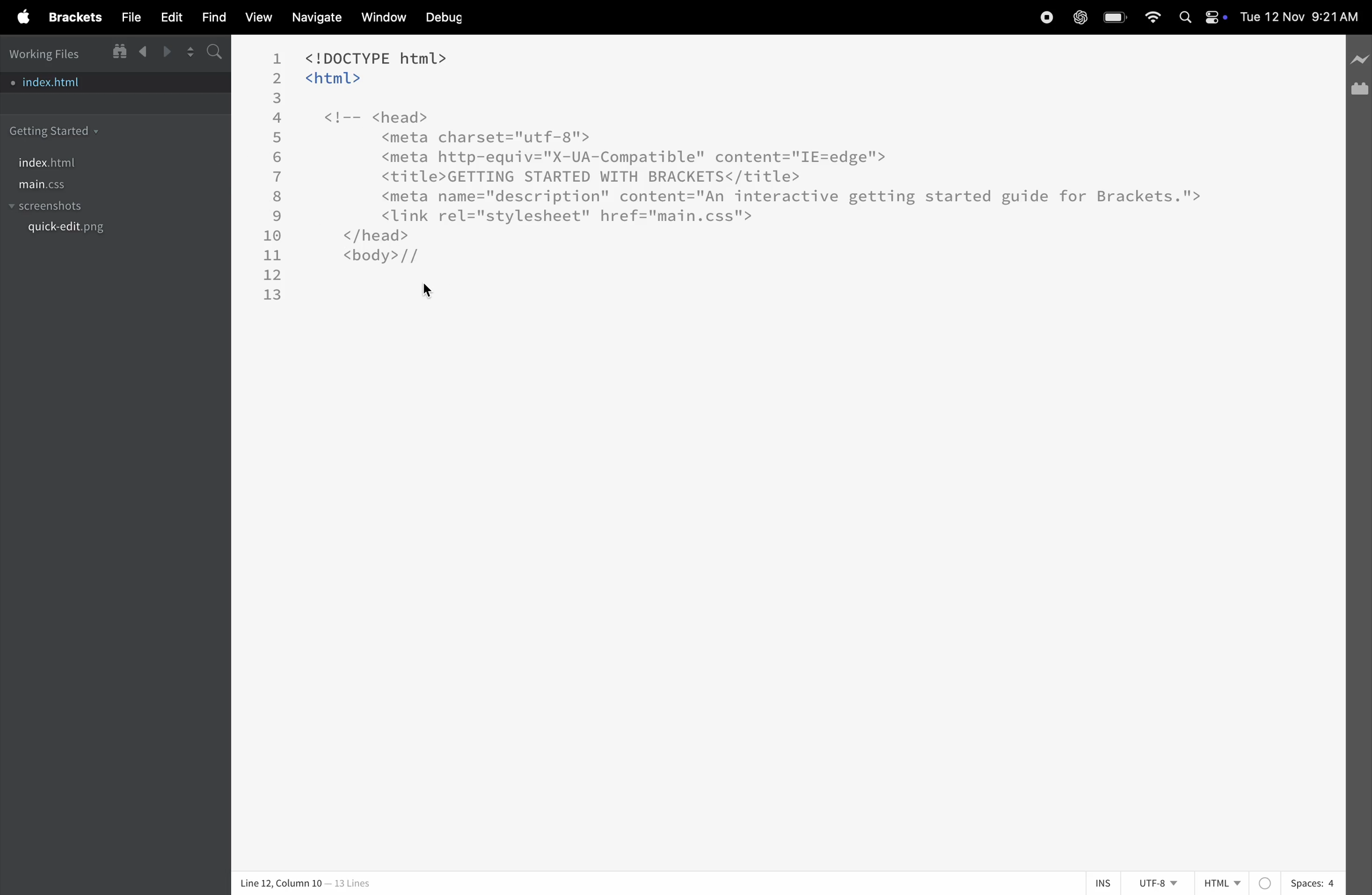  I want to click on battery, so click(1114, 18).